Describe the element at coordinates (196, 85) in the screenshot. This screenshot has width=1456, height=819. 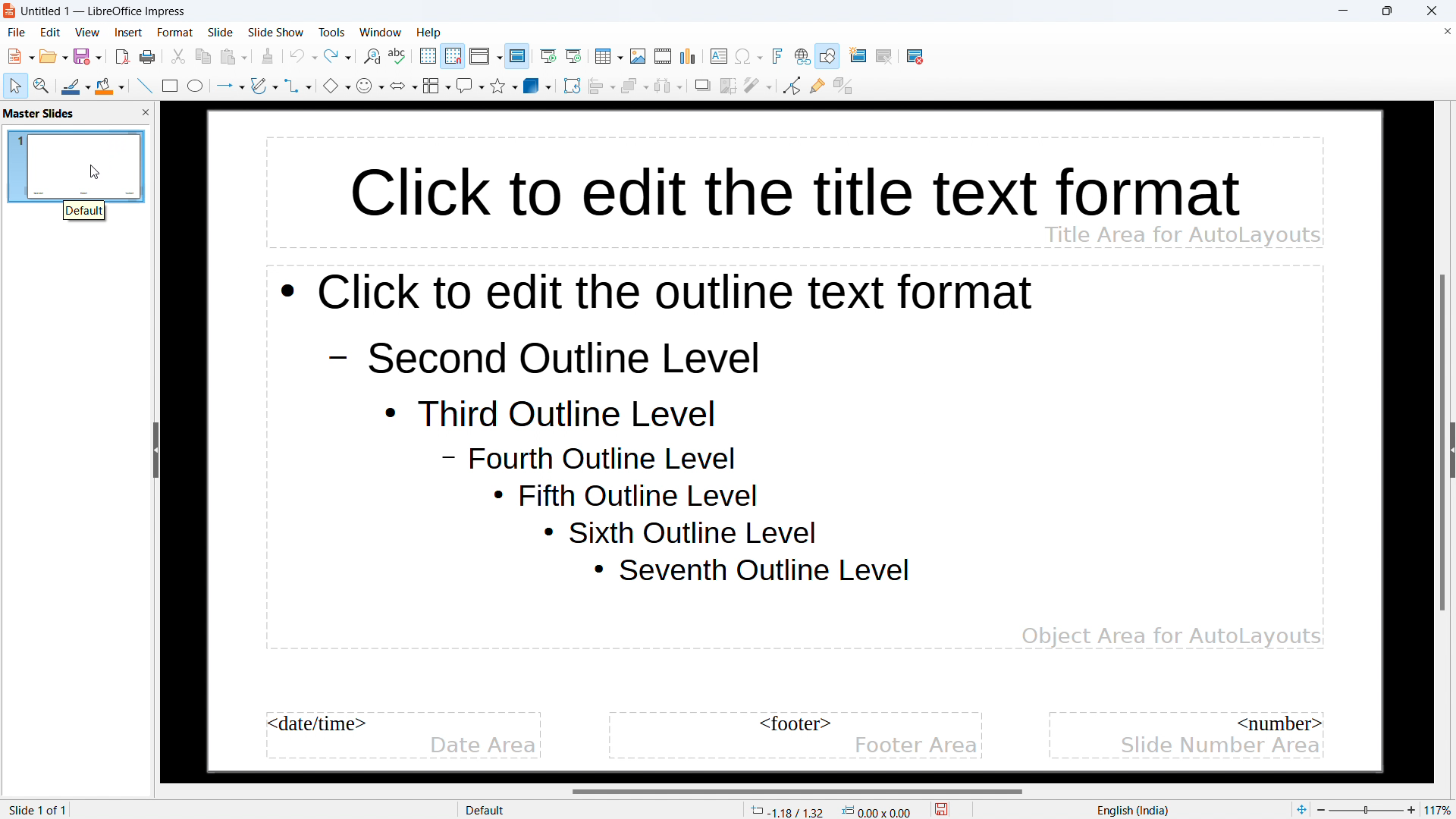
I see `ellipse` at that location.